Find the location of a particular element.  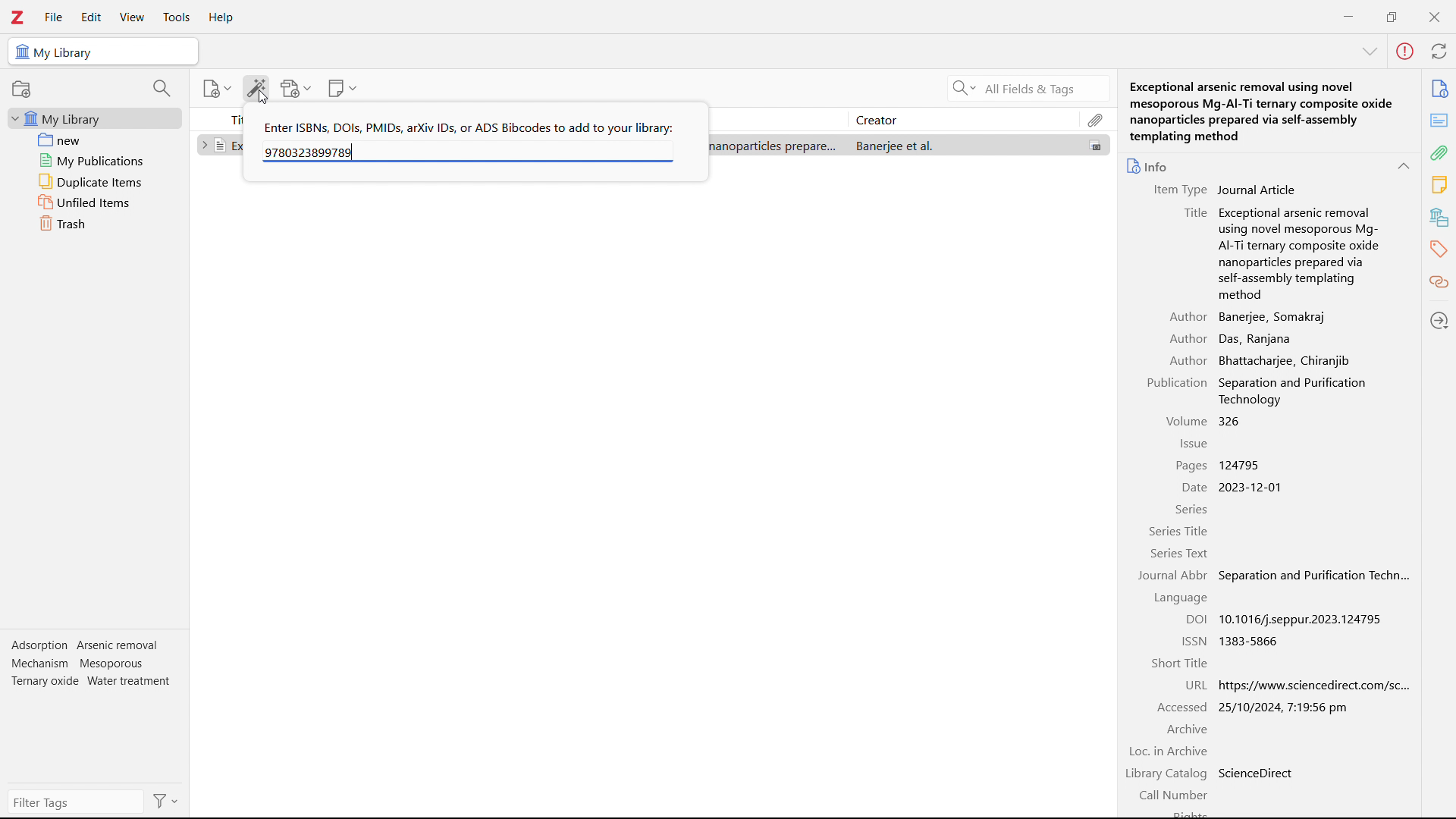

Language is located at coordinates (1175, 598).